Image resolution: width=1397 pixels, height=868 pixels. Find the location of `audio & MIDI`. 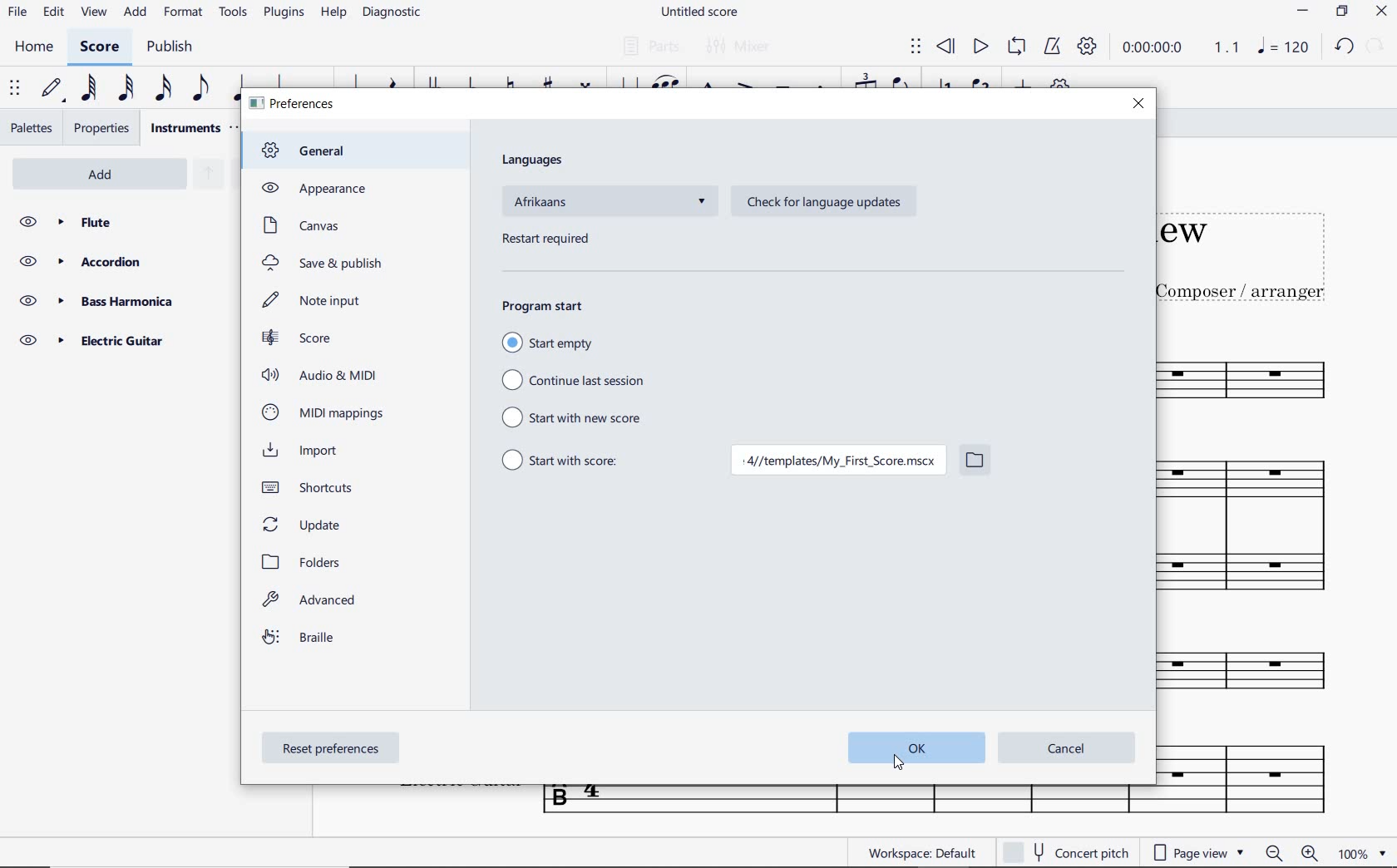

audio & MIDI is located at coordinates (323, 375).